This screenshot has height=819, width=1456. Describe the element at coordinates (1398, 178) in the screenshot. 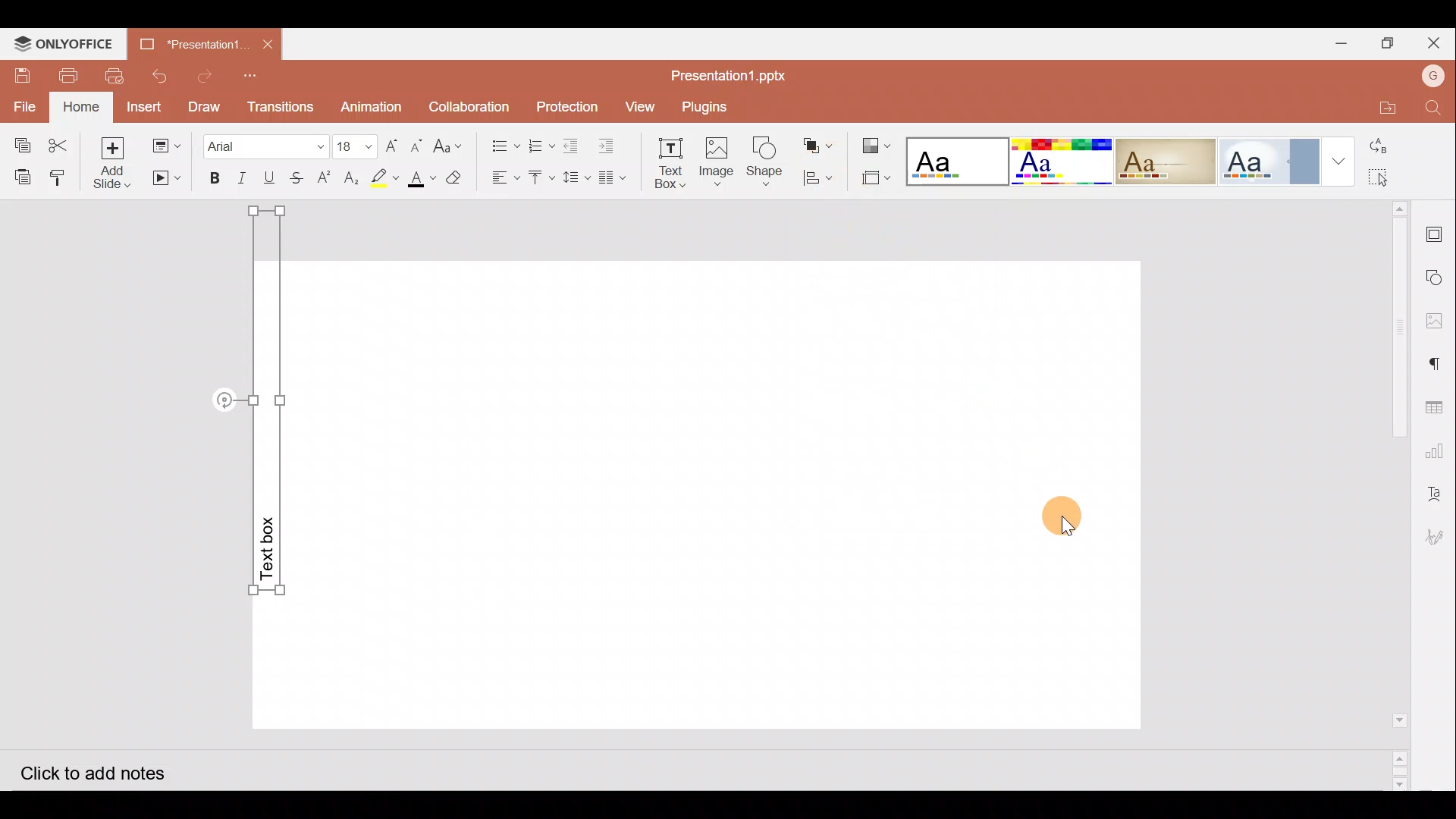

I see `Select all` at that location.